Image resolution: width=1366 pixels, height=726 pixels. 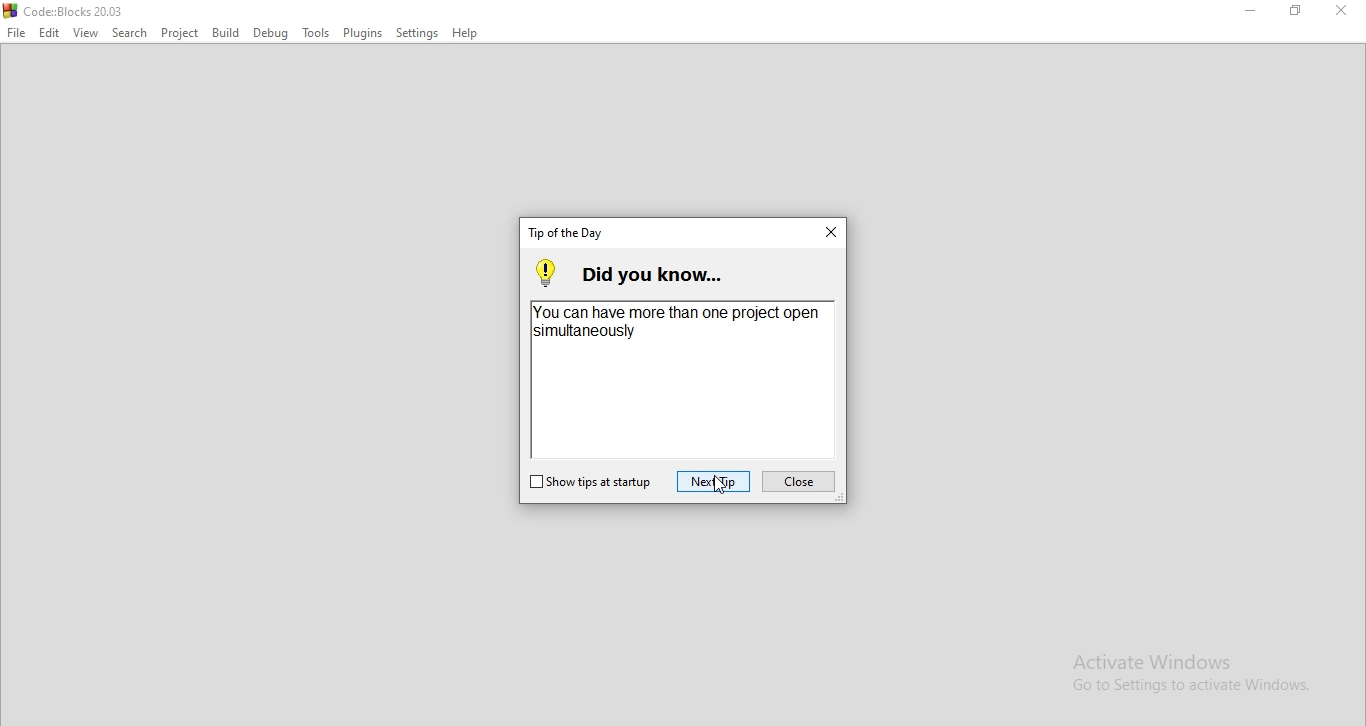 I want to click on close, so click(x=799, y=481).